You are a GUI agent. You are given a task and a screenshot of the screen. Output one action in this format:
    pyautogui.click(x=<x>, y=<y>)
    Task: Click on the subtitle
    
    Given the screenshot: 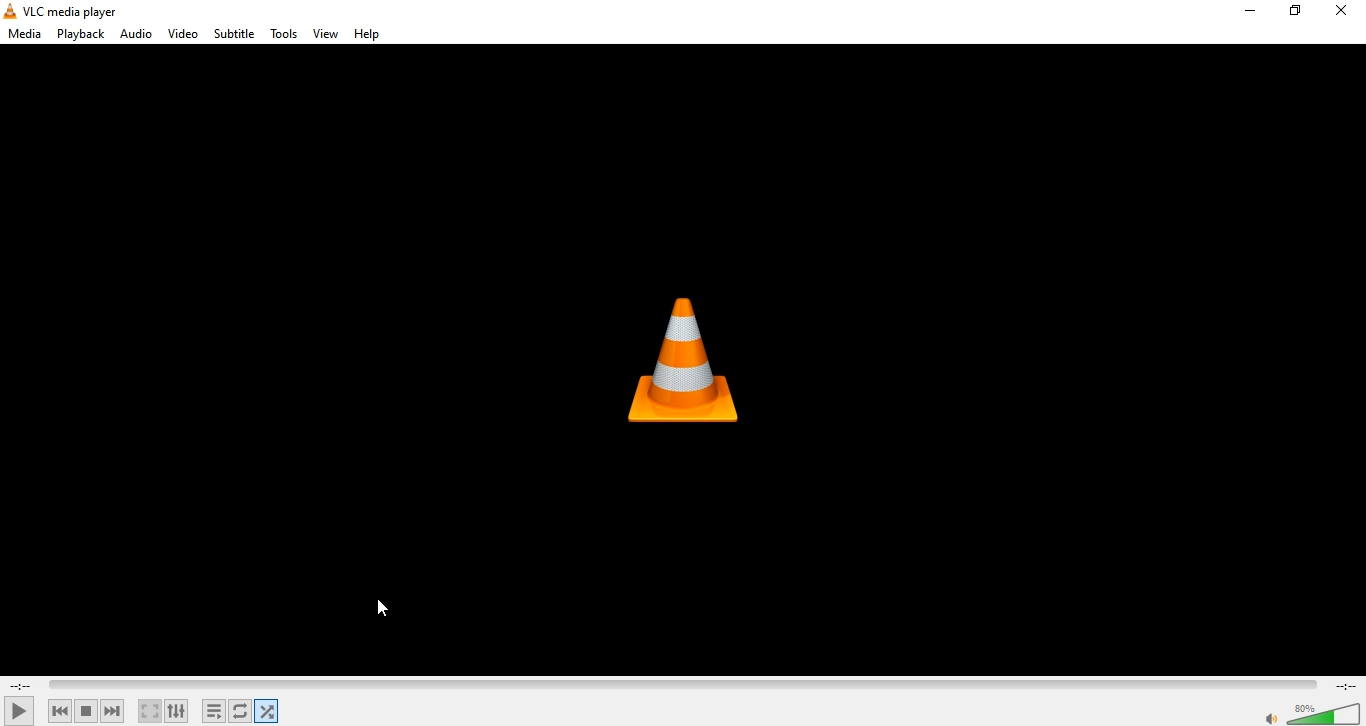 What is the action you would take?
    pyautogui.click(x=233, y=35)
    